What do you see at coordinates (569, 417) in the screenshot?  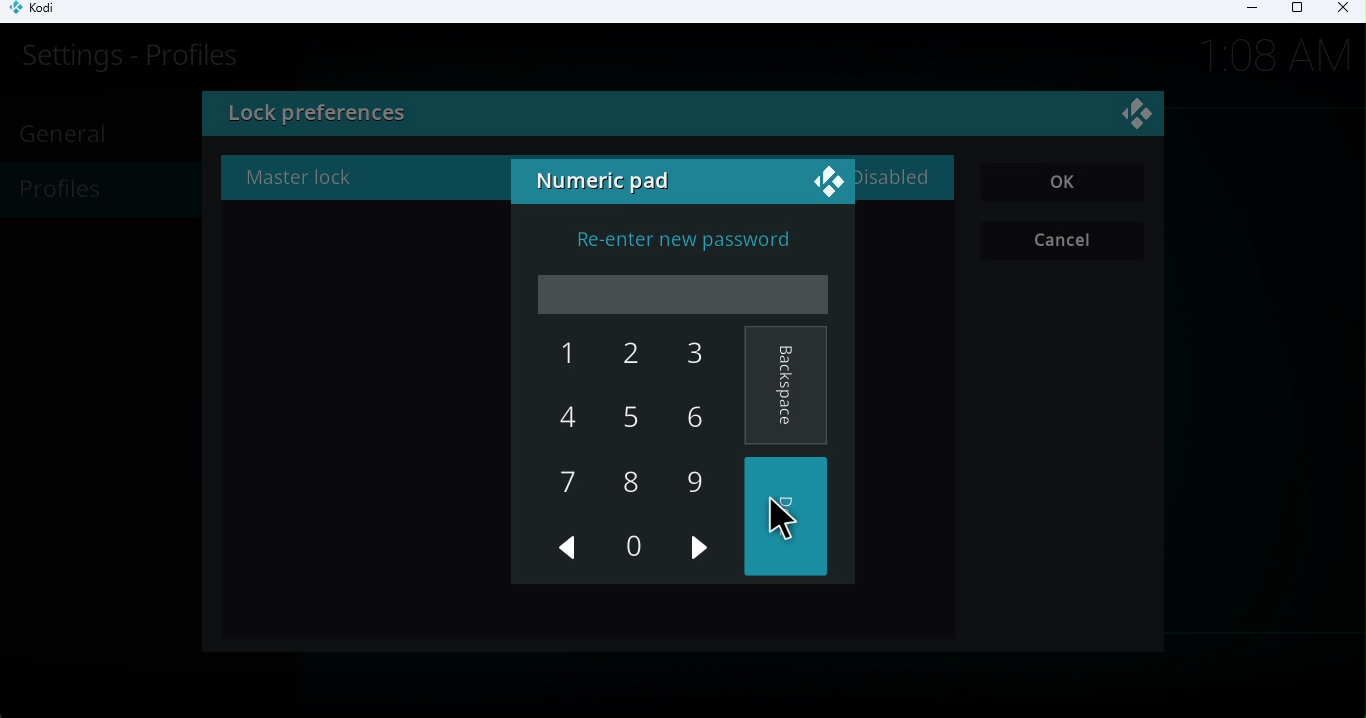 I see `4` at bounding box center [569, 417].